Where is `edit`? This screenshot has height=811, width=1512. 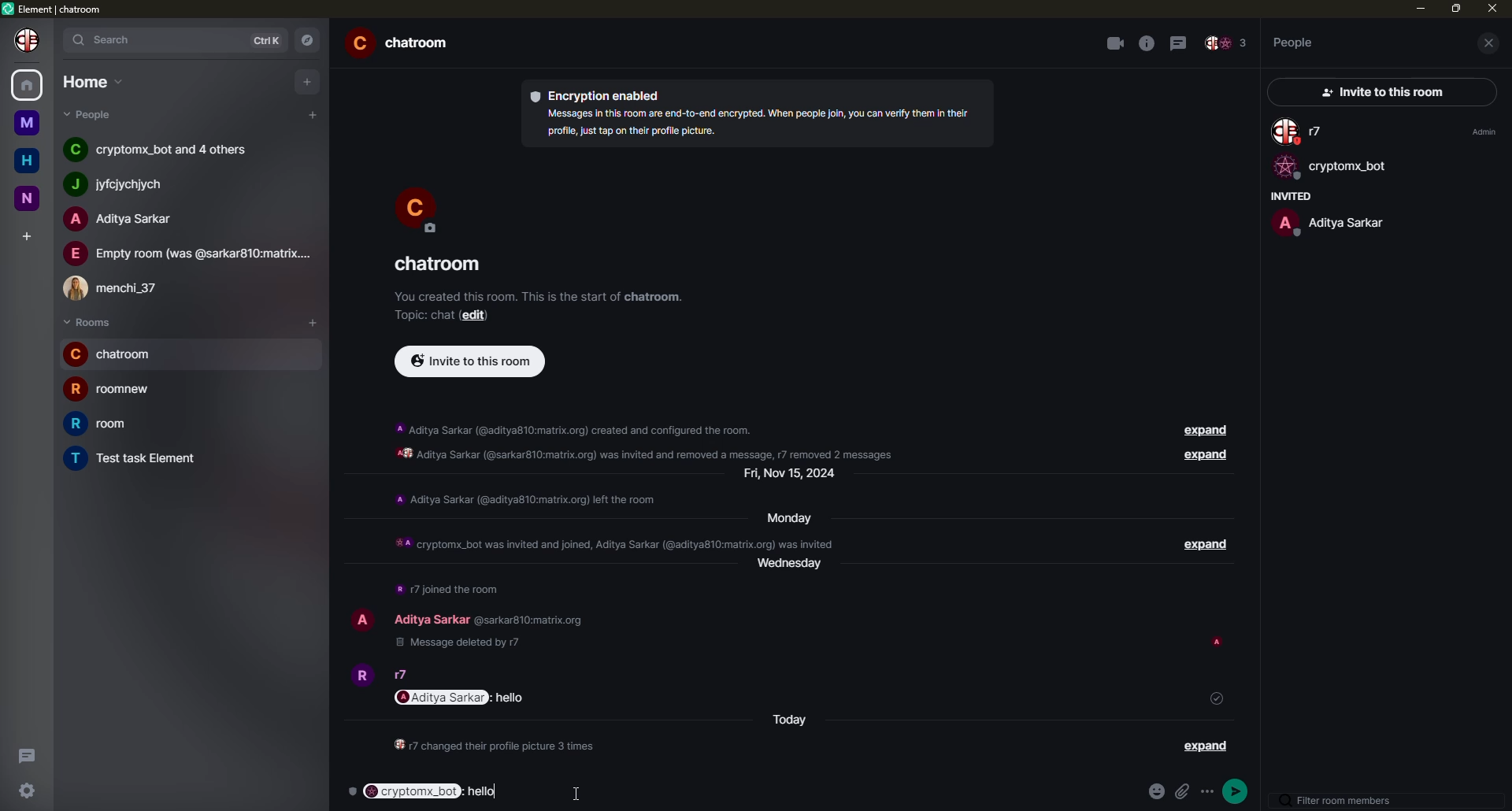
edit is located at coordinates (473, 316).